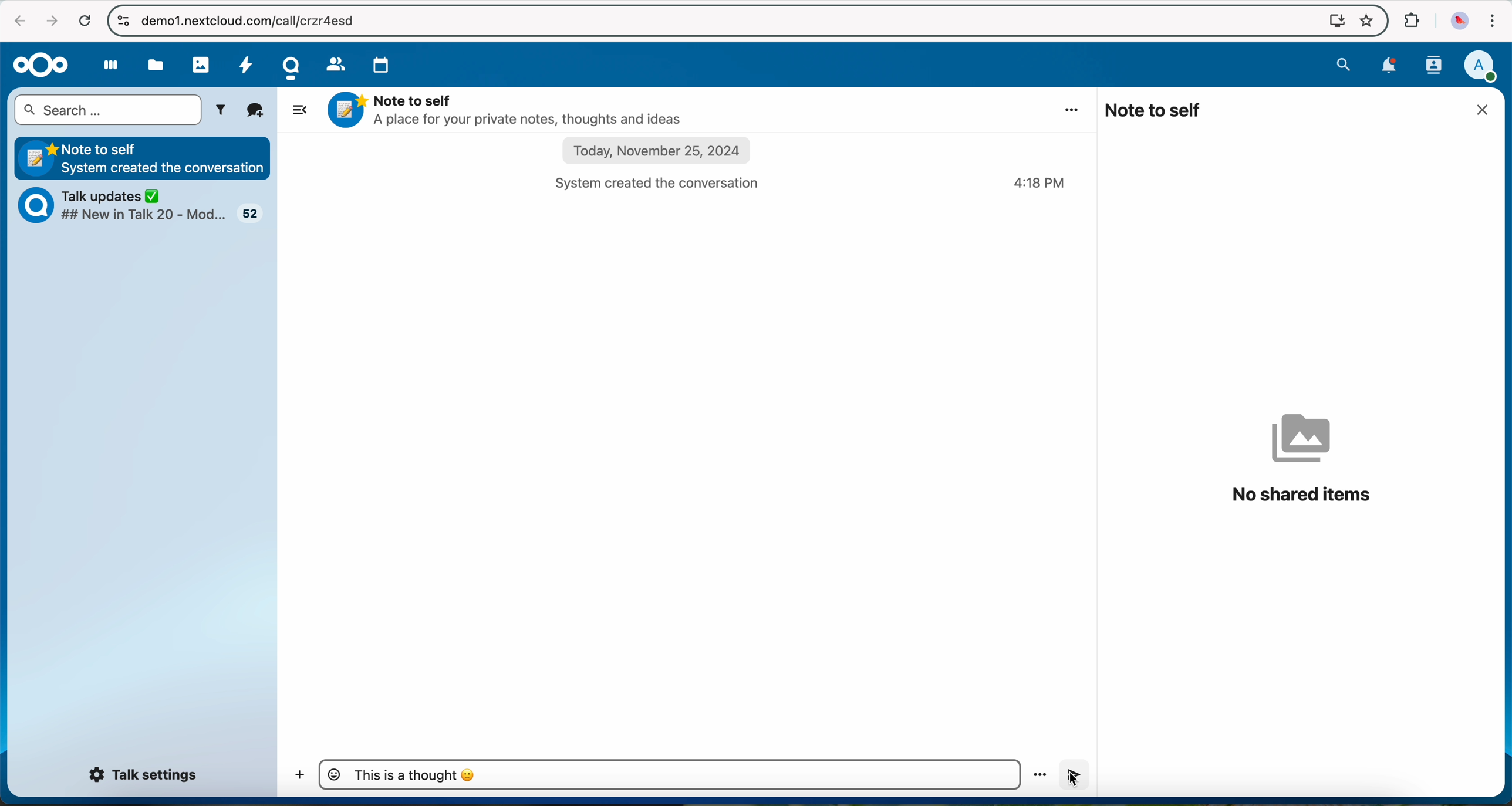  Describe the element at coordinates (146, 775) in the screenshot. I see `Talk settings` at that location.